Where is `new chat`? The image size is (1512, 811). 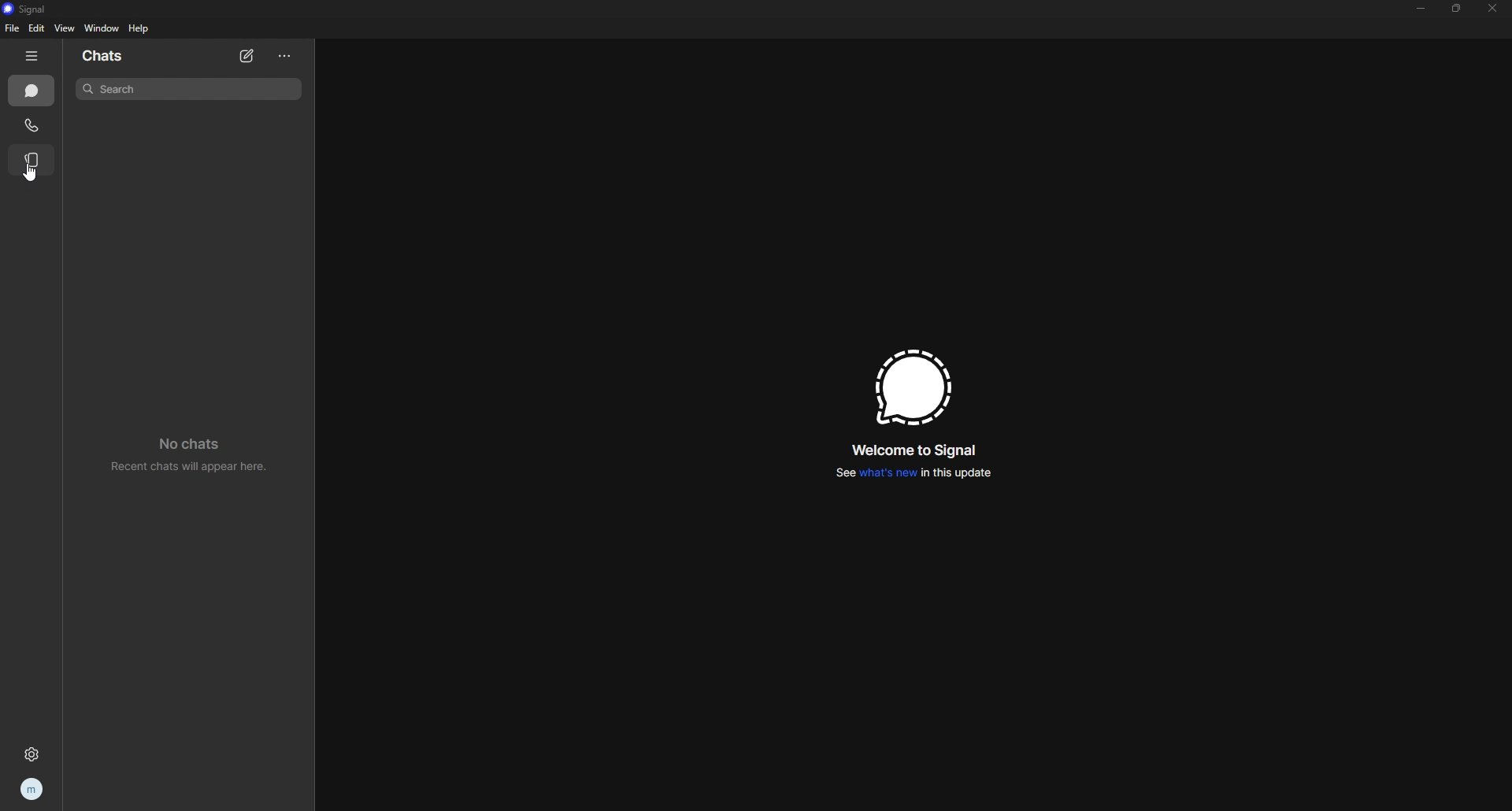 new chat is located at coordinates (248, 57).